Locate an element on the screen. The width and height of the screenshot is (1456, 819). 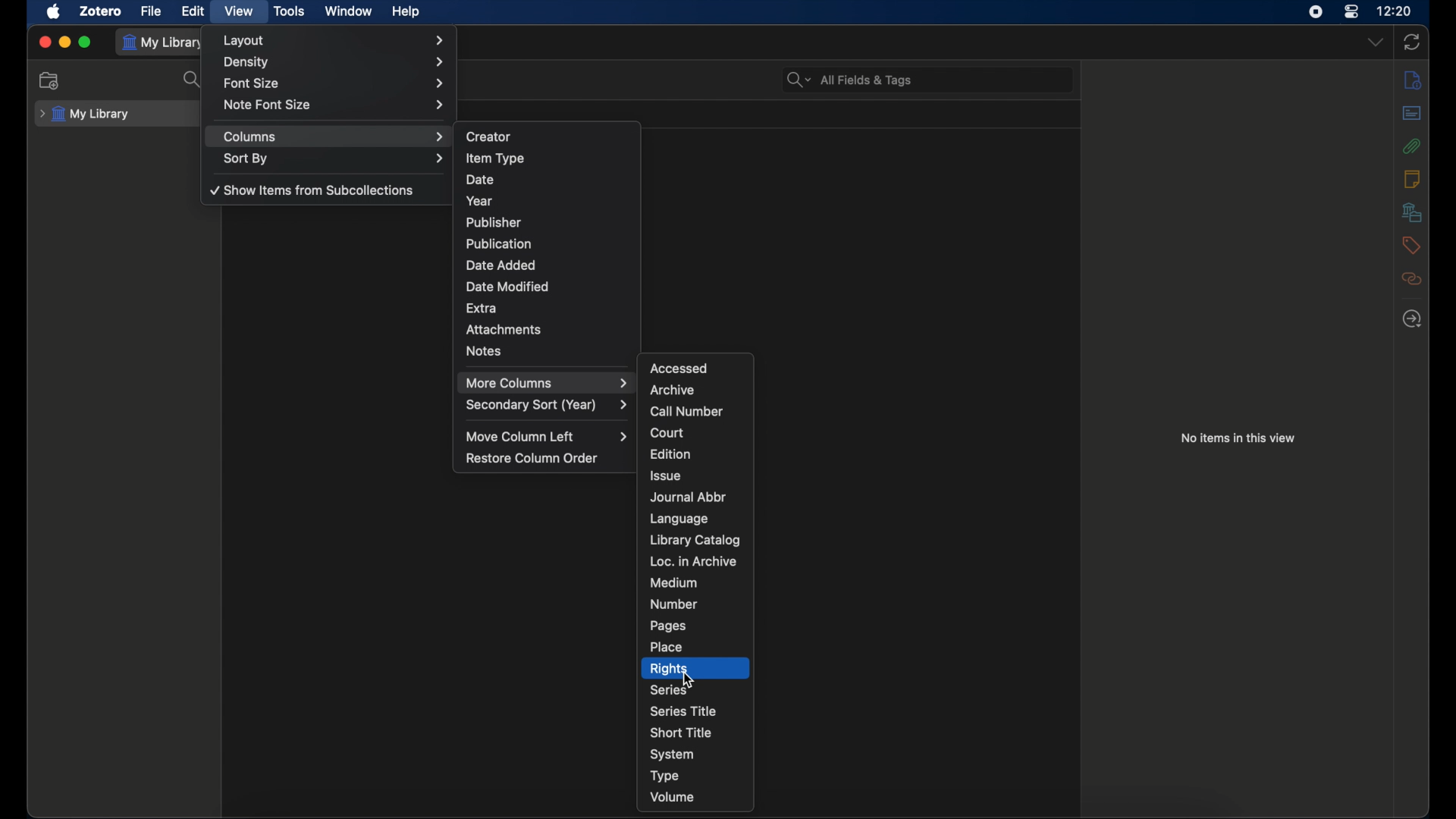
accessed is located at coordinates (679, 368).